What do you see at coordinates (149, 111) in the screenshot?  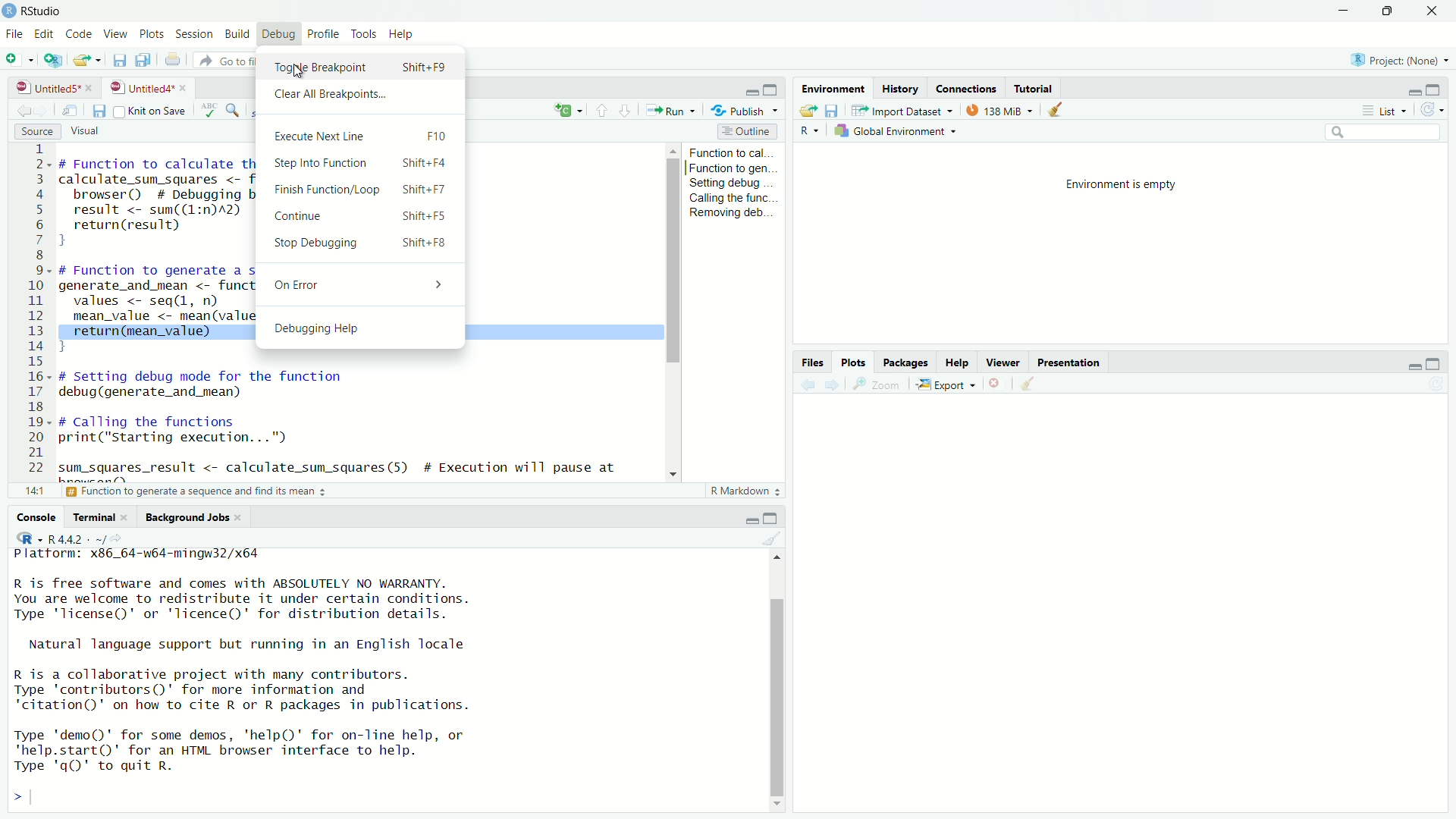 I see `source on save` at bounding box center [149, 111].